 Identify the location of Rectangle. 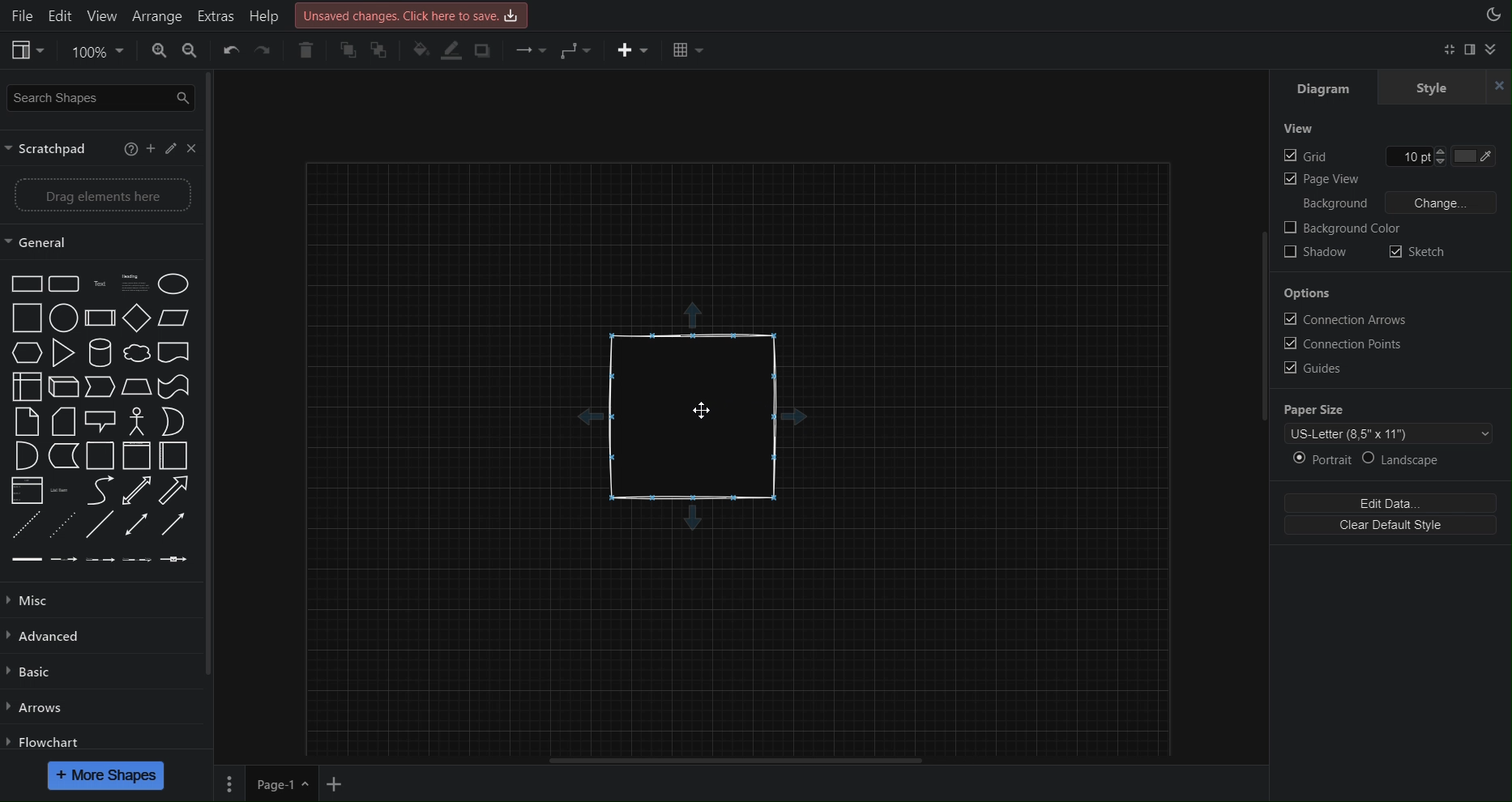
(701, 413).